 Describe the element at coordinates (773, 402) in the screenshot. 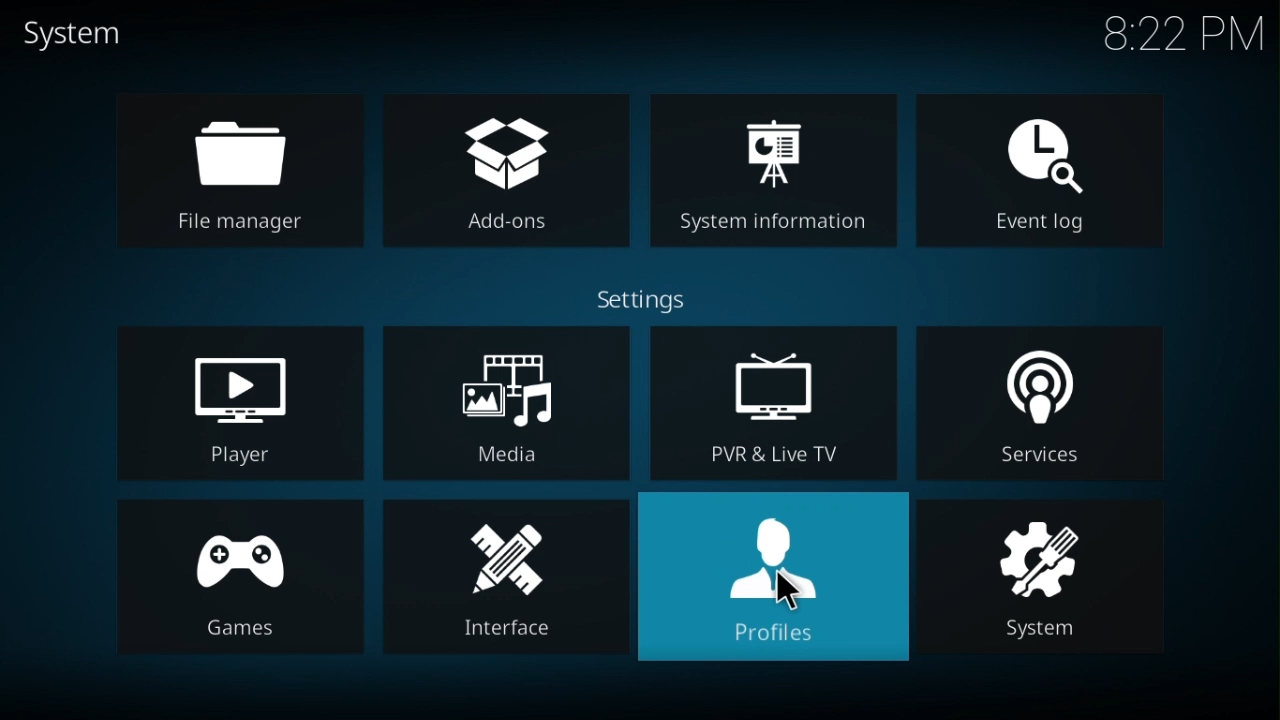

I see `Live TV` at that location.